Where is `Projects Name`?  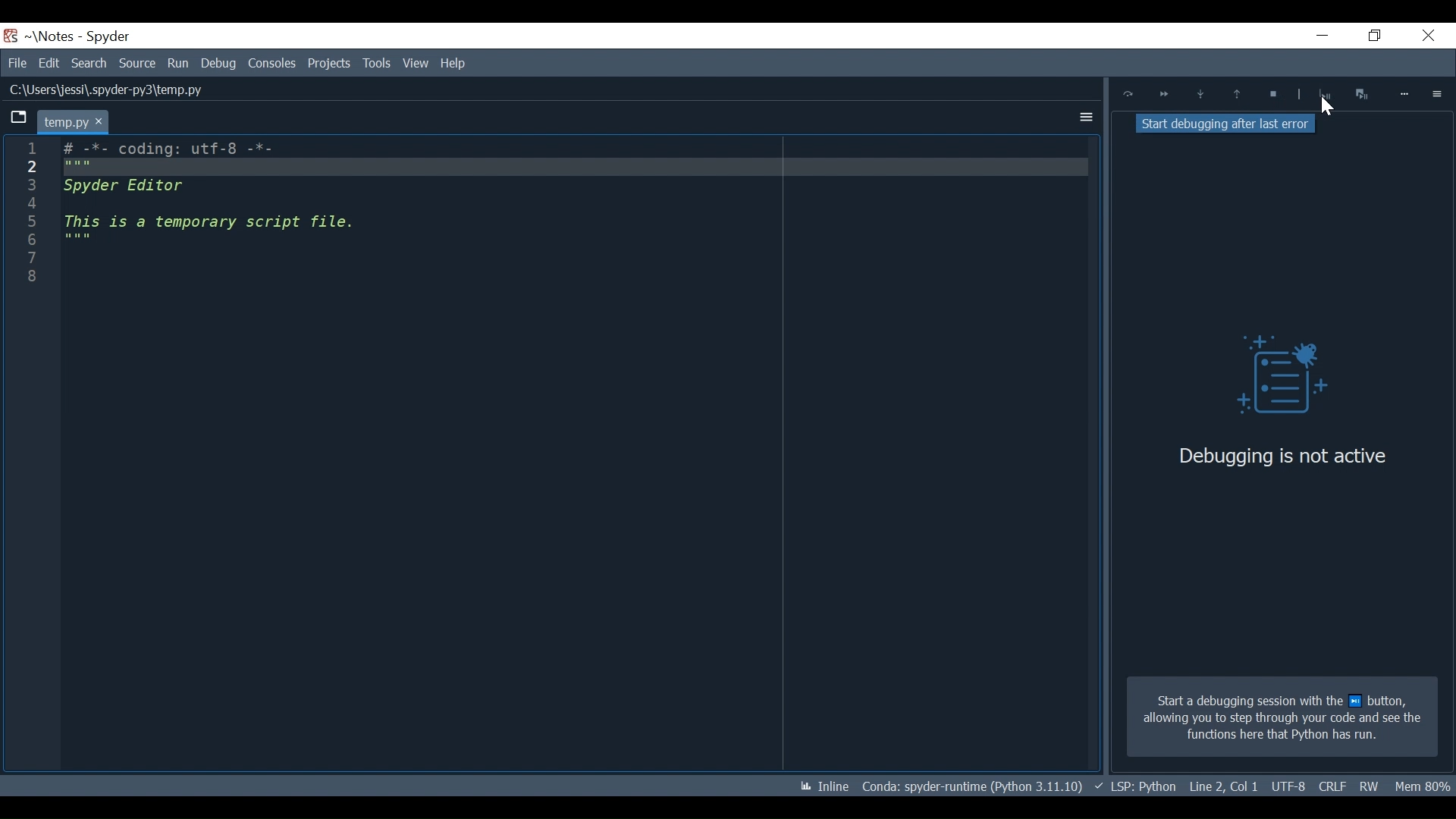
Projects Name is located at coordinates (55, 36).